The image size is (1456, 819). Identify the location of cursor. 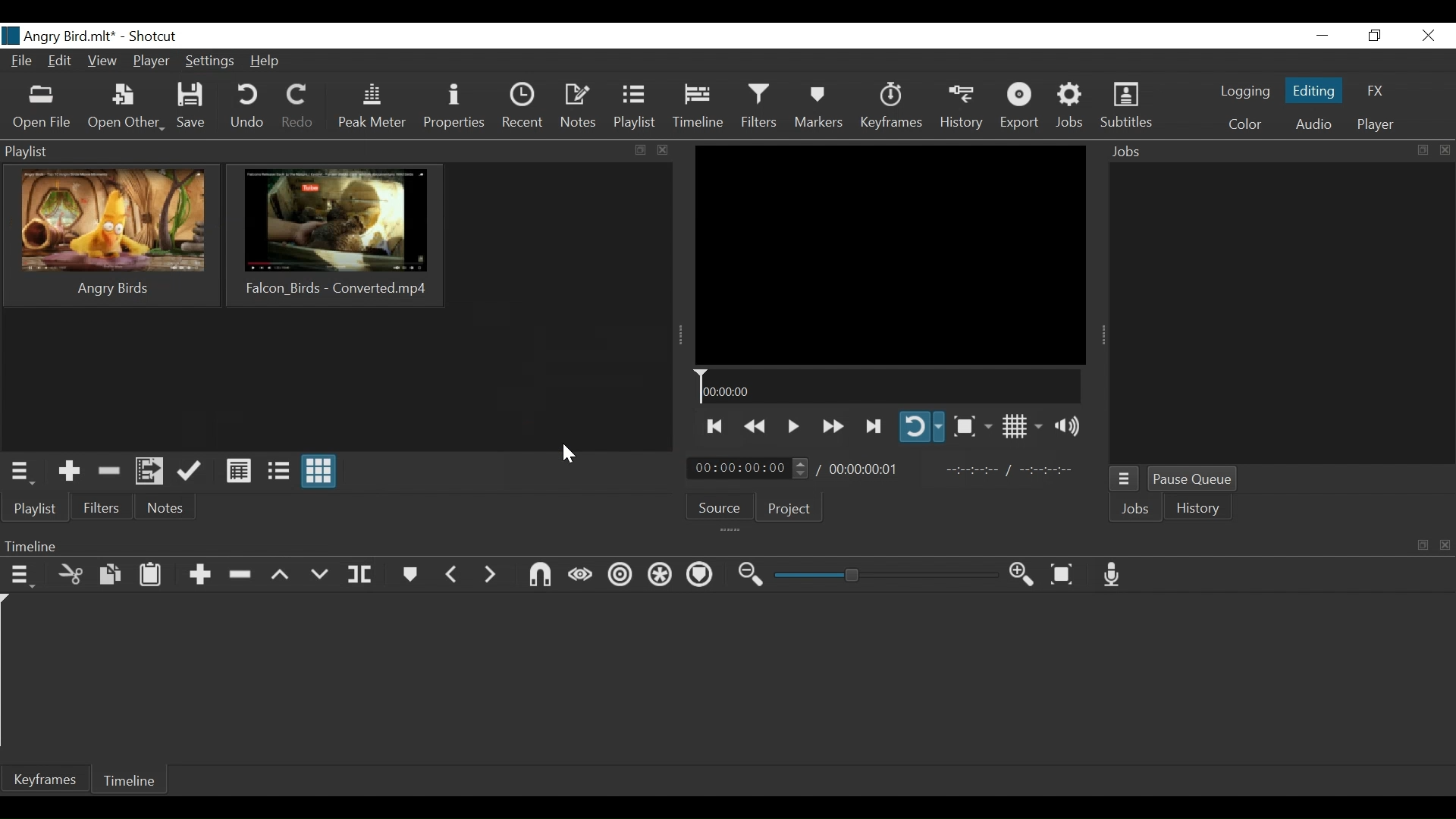
(566, 455).